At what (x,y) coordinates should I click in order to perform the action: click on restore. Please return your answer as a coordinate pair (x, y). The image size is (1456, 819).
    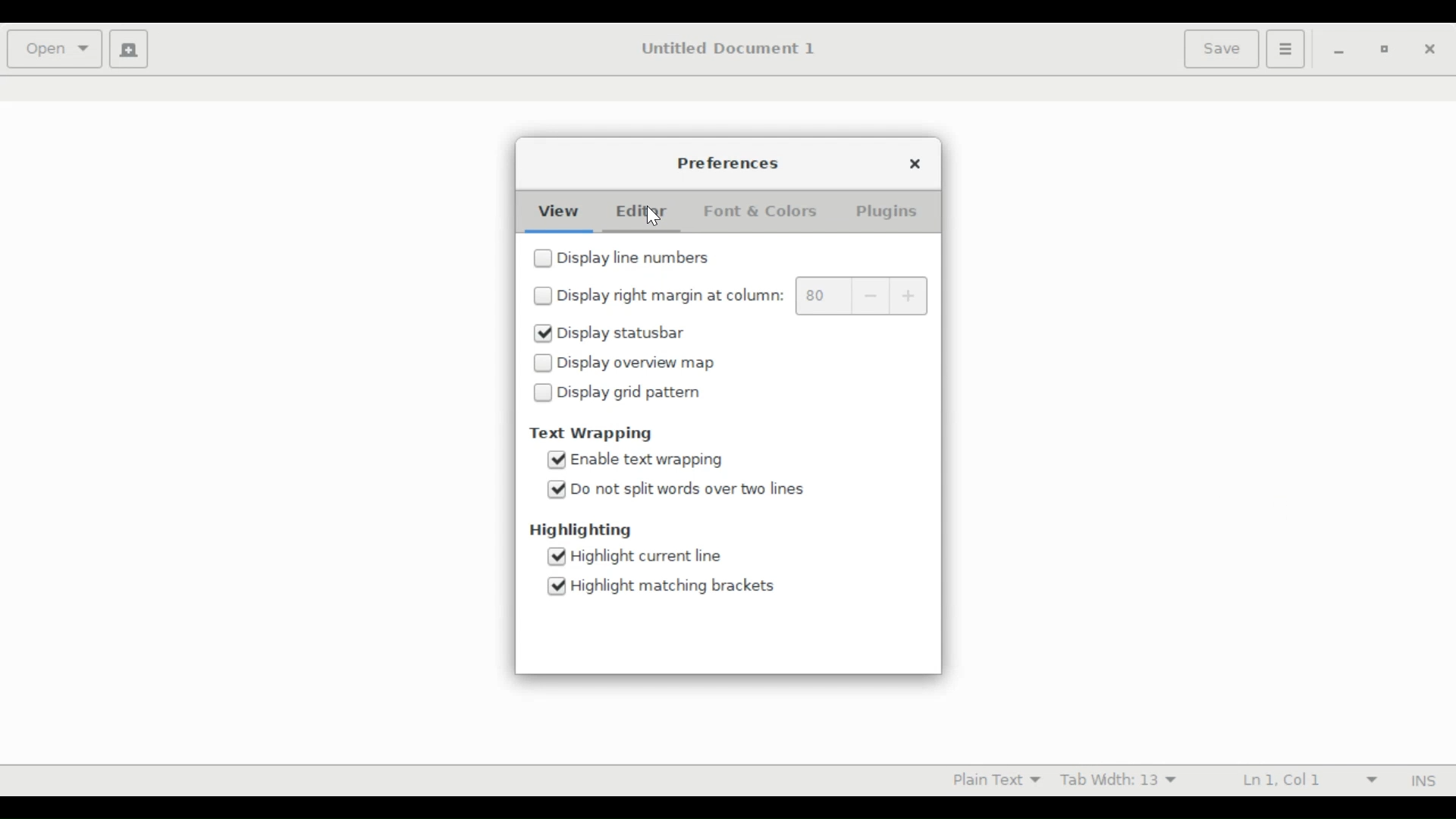
    Looking at the image, I should click on (1382, 49).